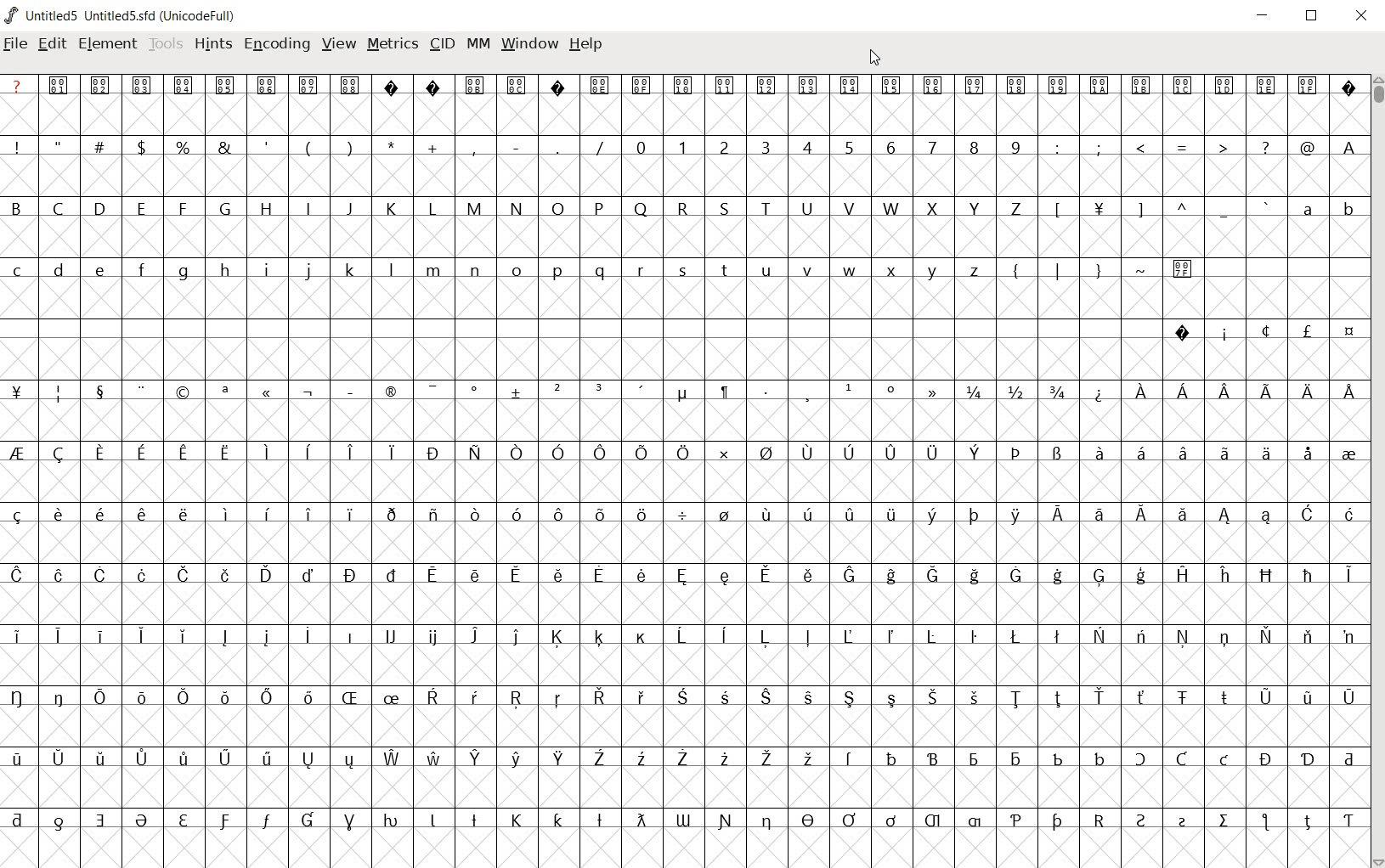 This screenshot has width=1385, height=868. I want to click on Symbol, so click(598, 454).